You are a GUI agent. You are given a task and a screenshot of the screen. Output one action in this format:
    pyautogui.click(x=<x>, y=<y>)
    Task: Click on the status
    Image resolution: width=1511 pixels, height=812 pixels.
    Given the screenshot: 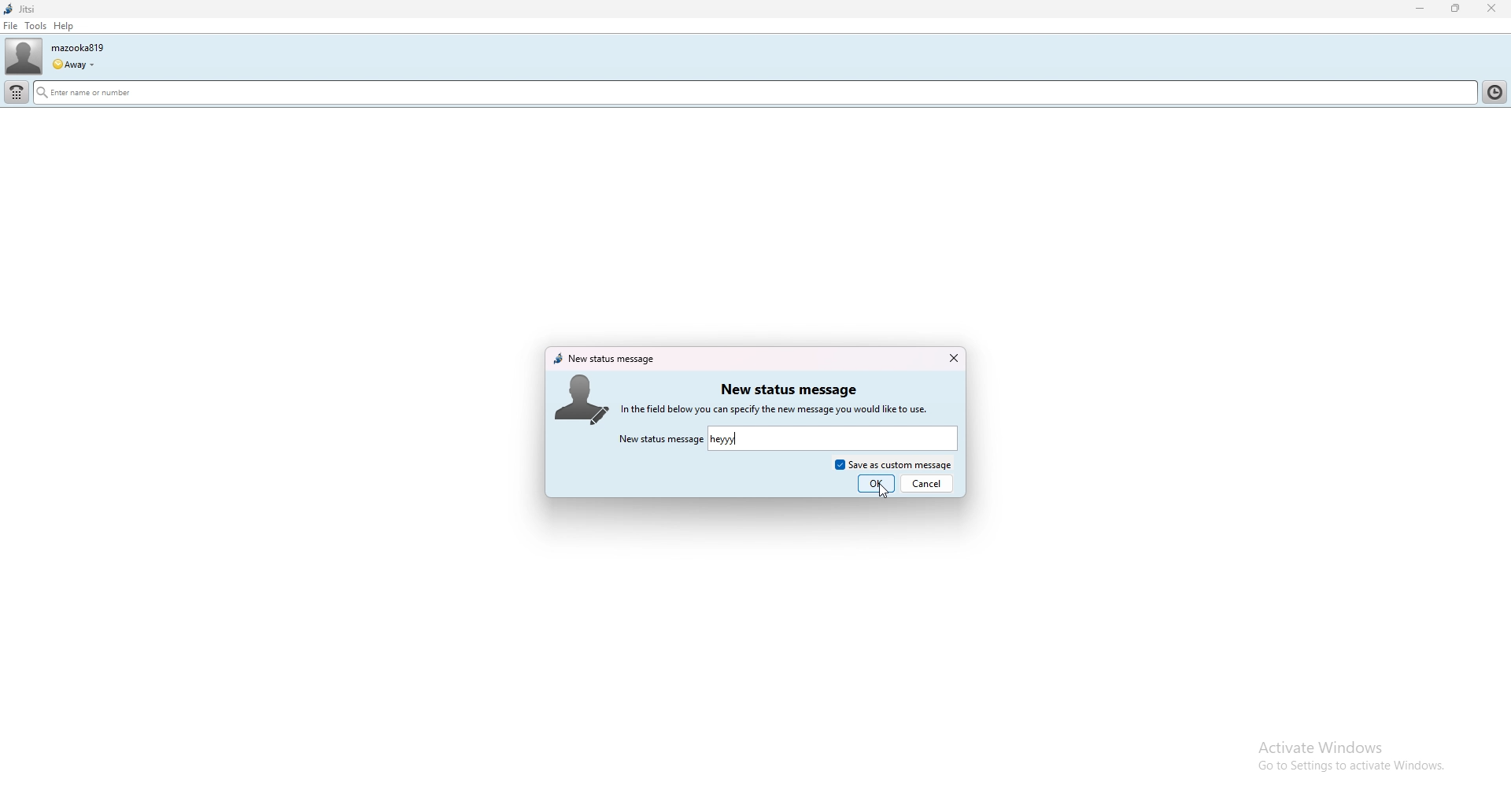 What is the action you would take?
    pyautogui.click(x=72, y=65)
    